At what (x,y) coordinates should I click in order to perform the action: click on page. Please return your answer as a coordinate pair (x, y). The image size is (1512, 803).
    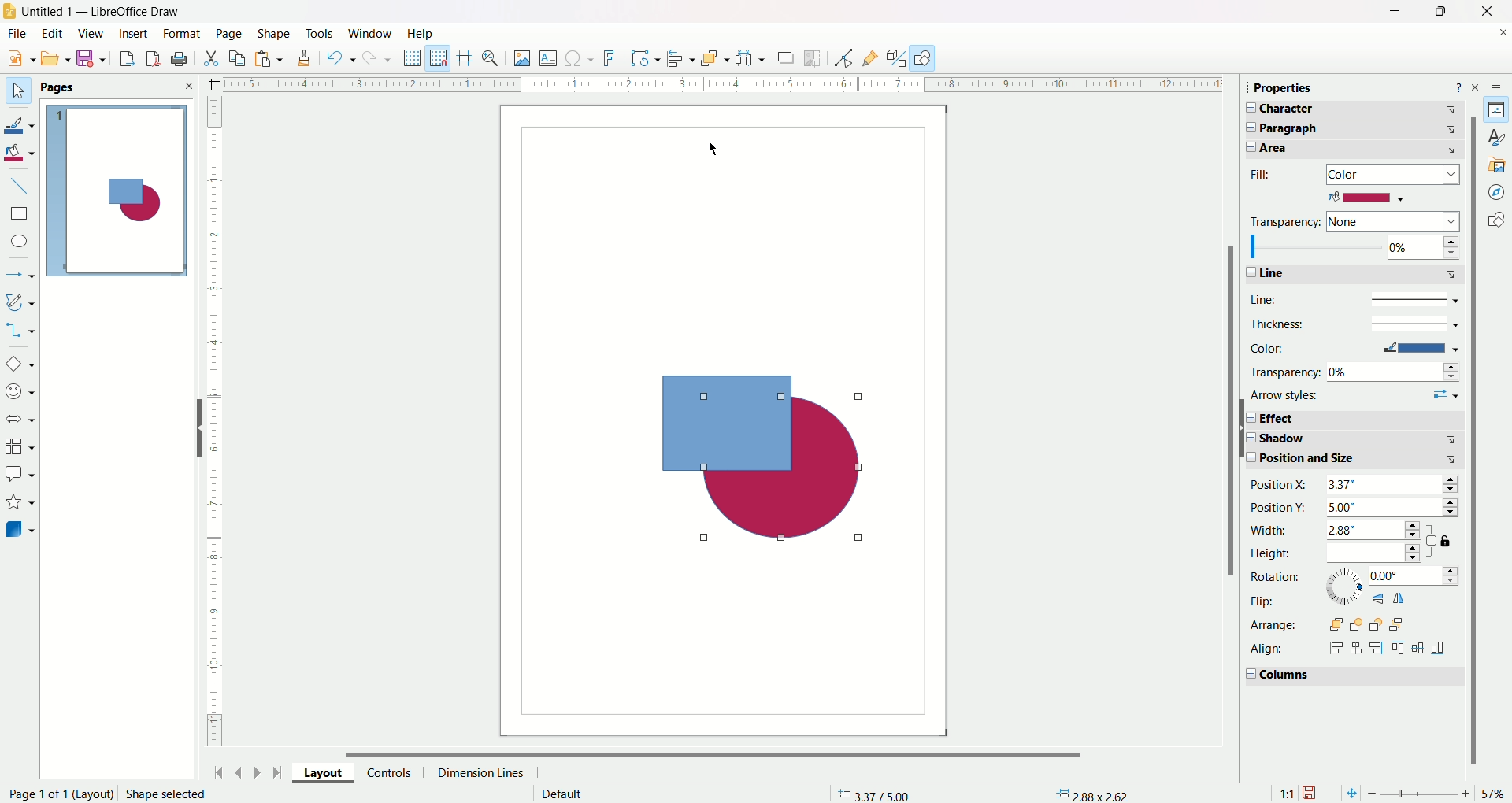
    Looking at the image, I should click on (122, 193).